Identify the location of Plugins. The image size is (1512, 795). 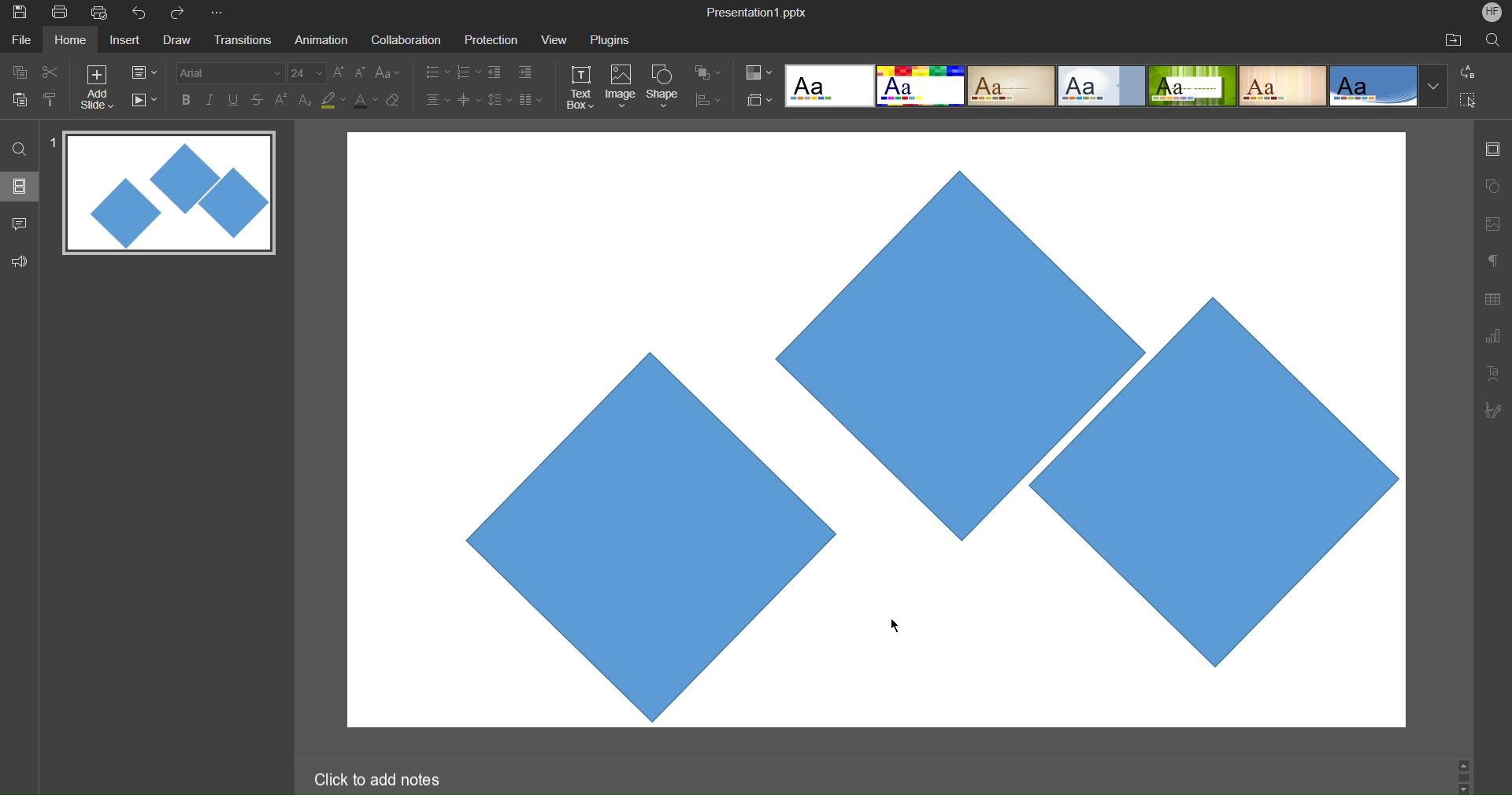
(612, 39).